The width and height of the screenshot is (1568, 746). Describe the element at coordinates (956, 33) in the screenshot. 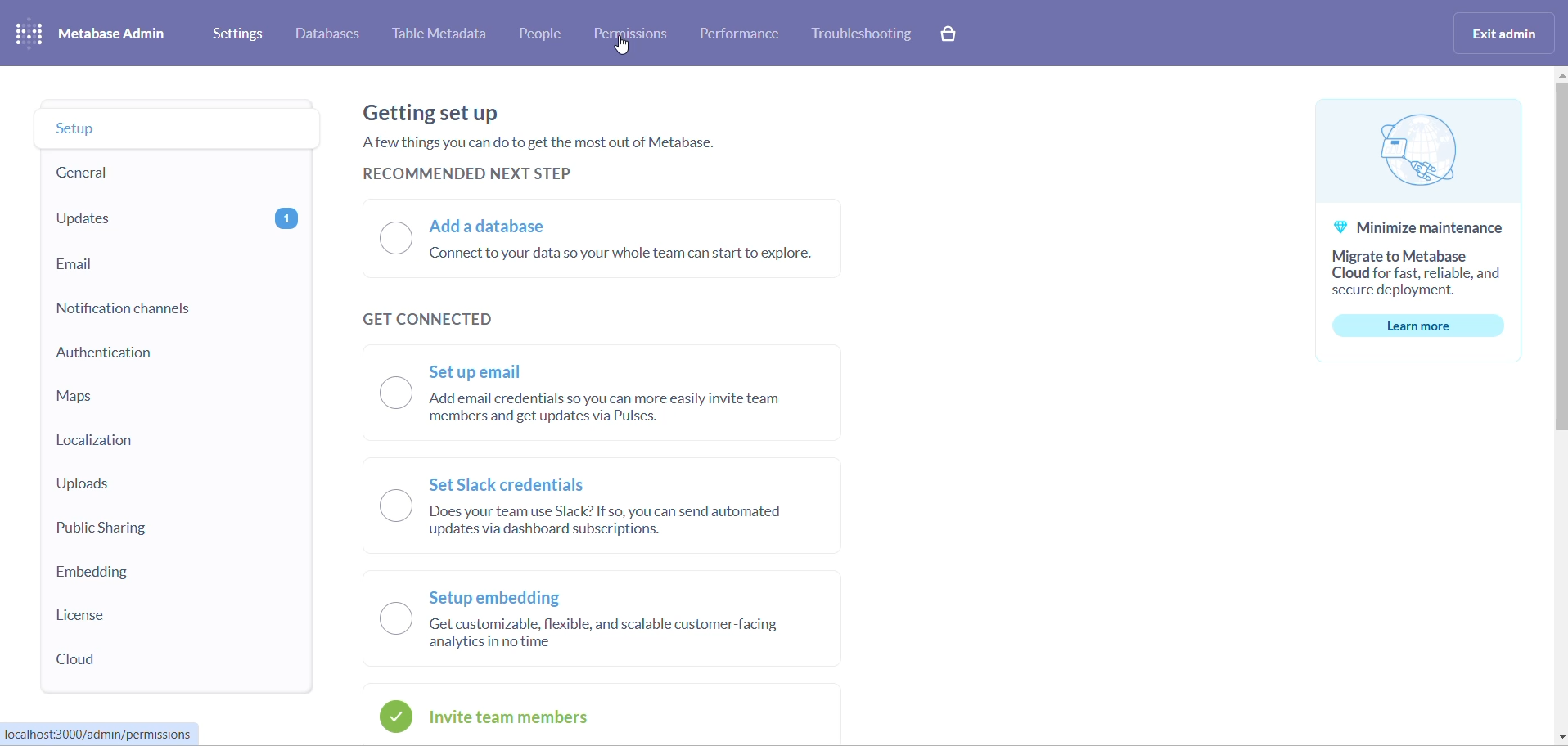

I see `paid version` at that location.